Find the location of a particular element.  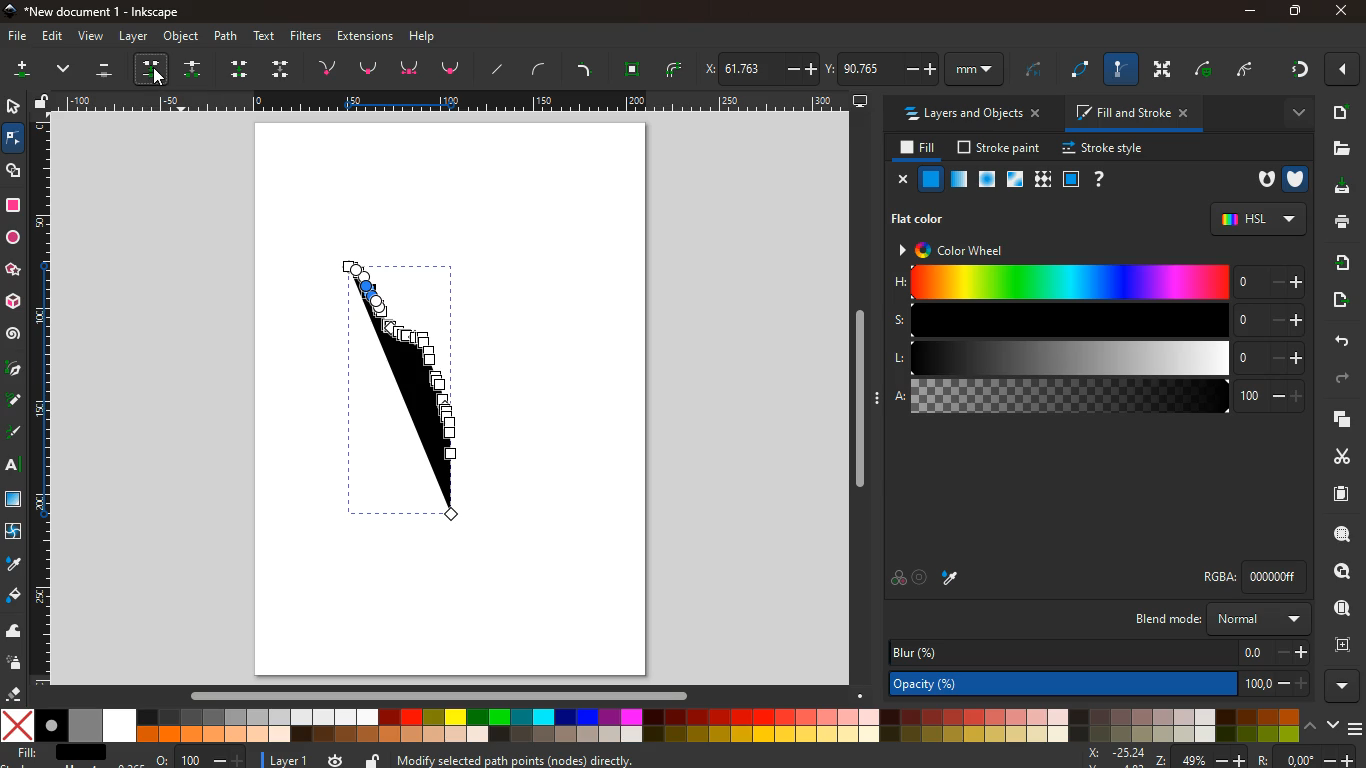

paralel is located at coordinates (108, 72).